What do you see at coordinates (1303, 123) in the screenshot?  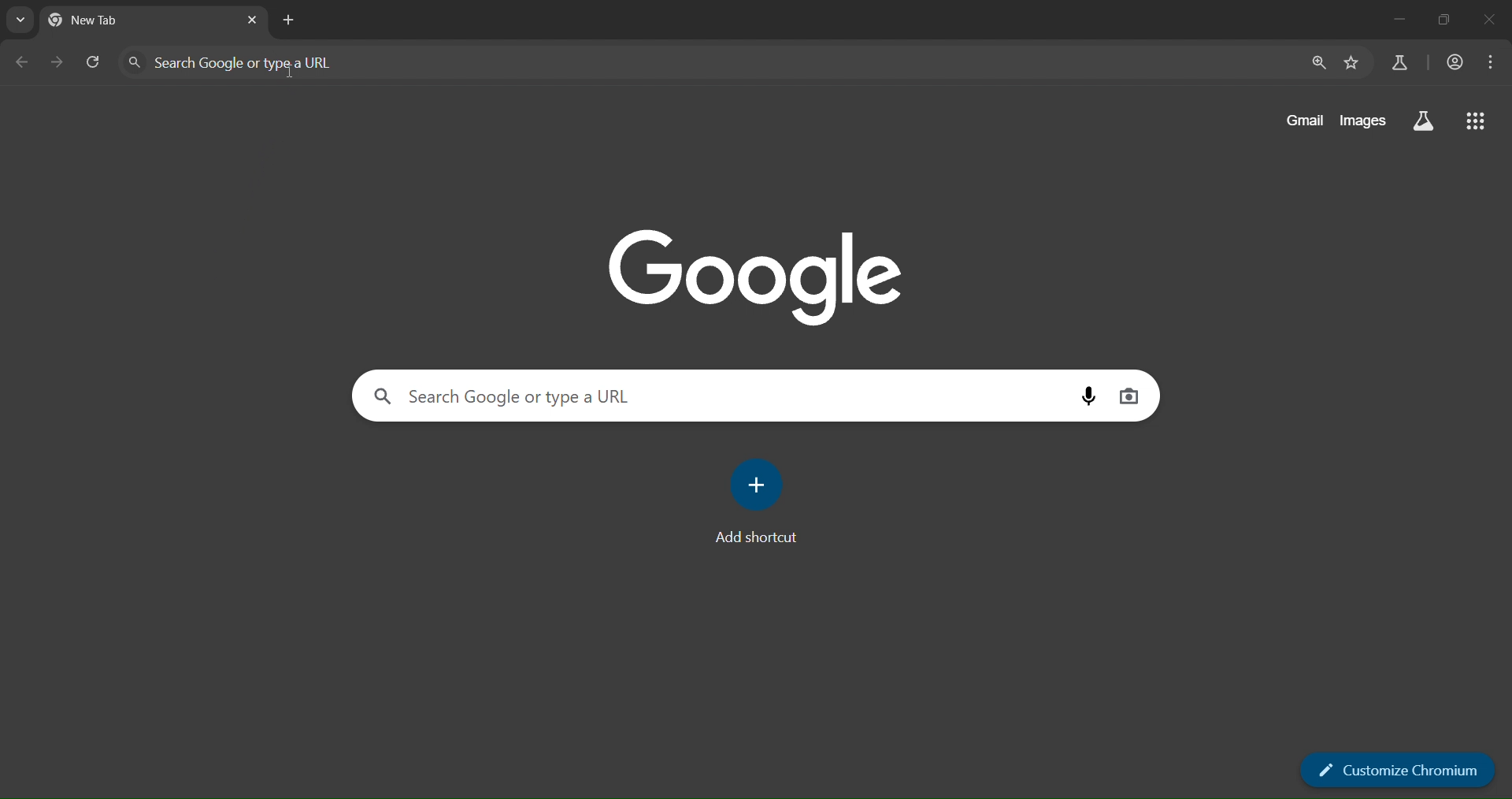 I see `gmail` at bounding box center [1303, 123].